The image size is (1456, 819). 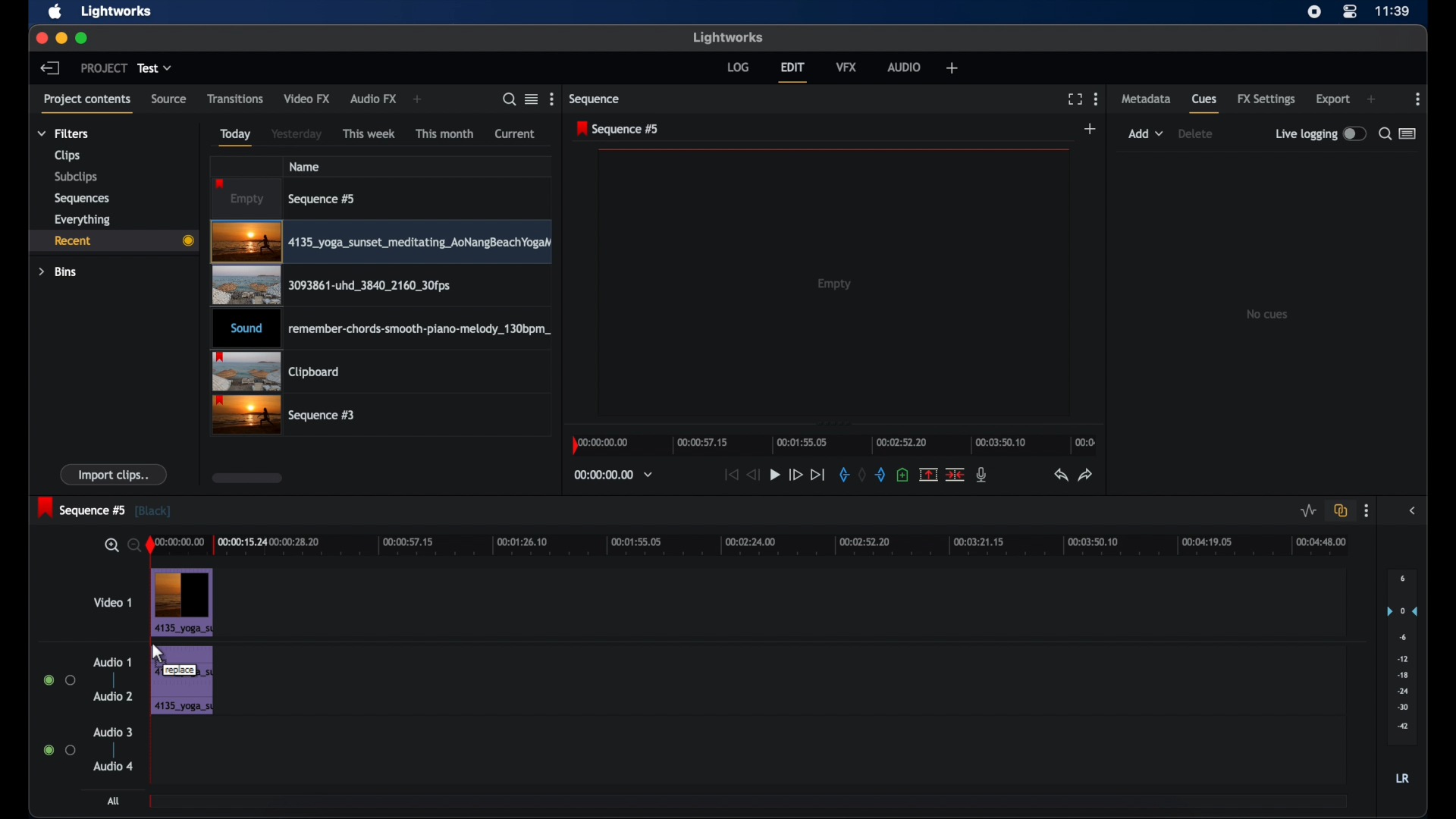 I want to click on Mouse Cursor, so click(x=158, y=654).